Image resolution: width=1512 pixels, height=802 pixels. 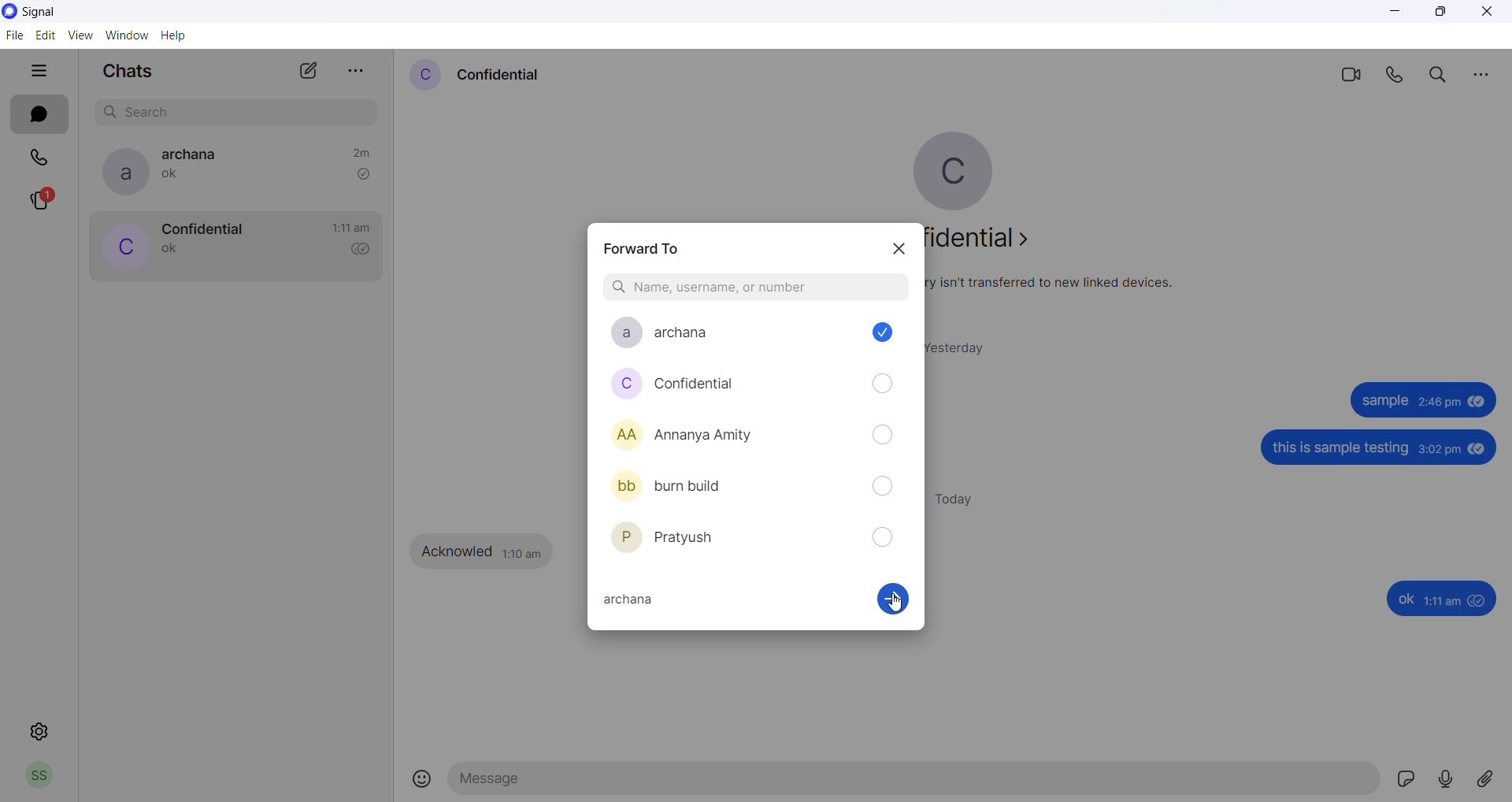 What do you see at coordinates (202, 228) in the screenshot?
I see `contact name` at bounding box center [202, 228].